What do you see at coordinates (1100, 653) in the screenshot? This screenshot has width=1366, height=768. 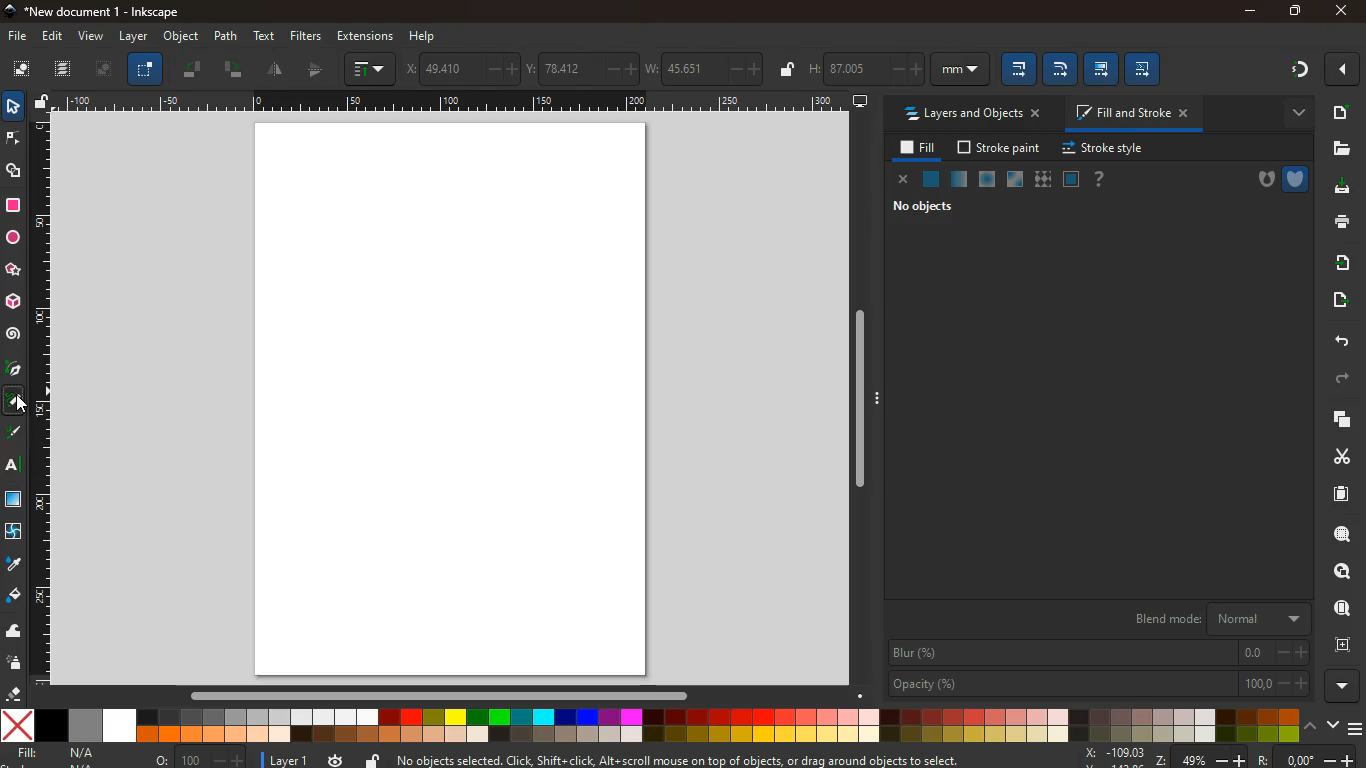 I see `blur` at bounding box center [1100, 653].